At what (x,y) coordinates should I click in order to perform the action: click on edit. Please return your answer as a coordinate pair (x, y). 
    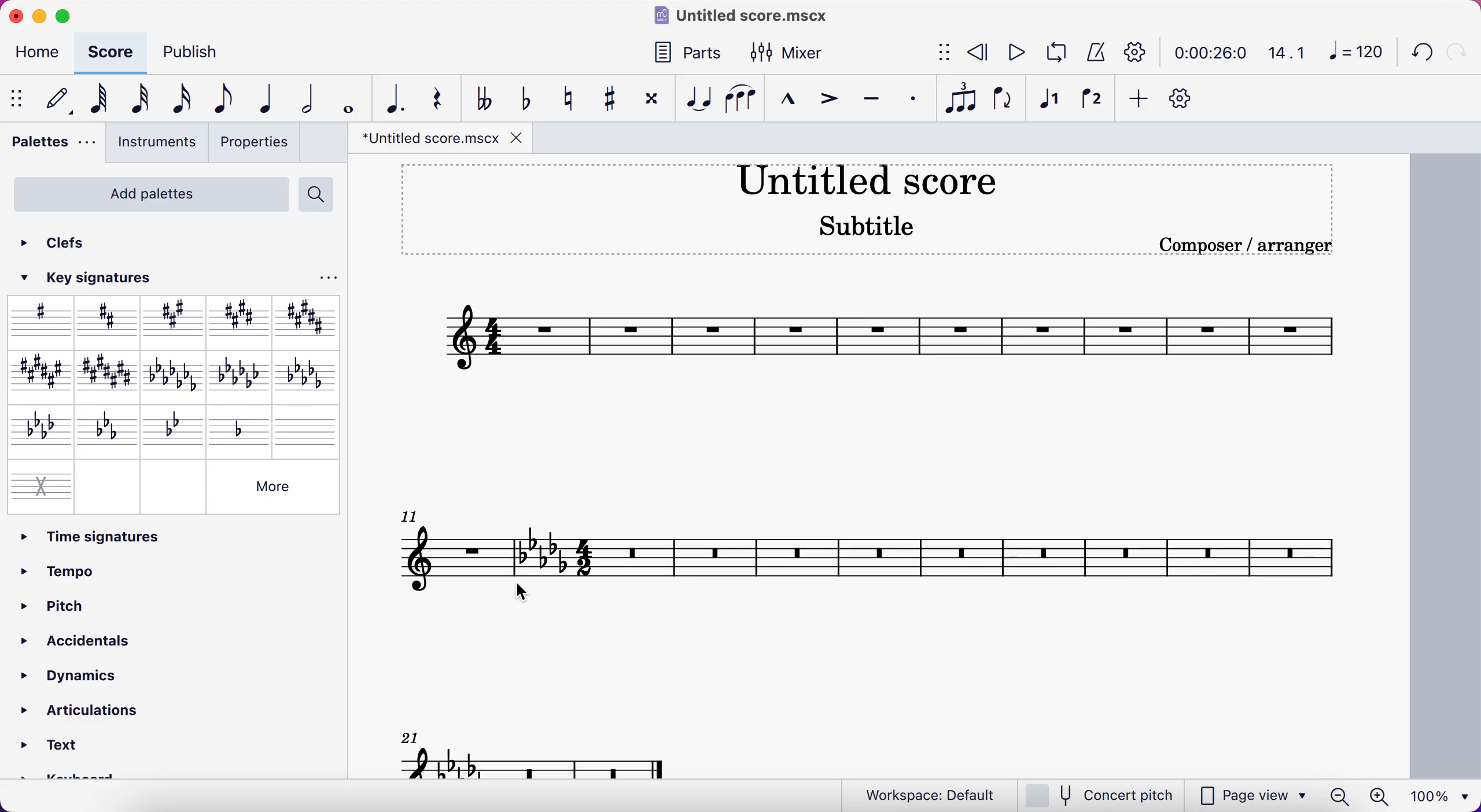
    Looking at the image, I should click on (62, 99).